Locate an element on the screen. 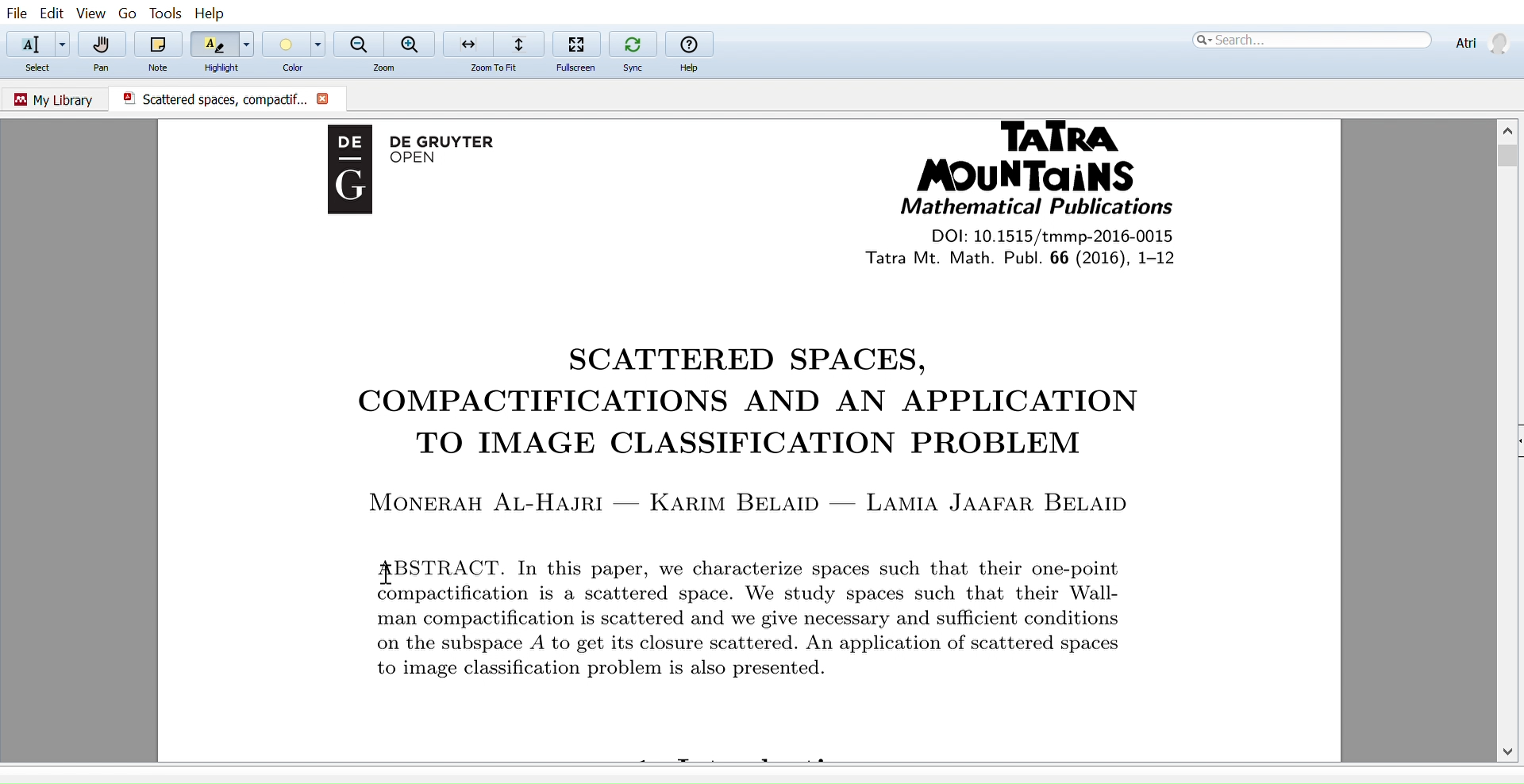 The width and height of the screenshot is (1524, 784). Add text options is located at coordinates (63, 44).